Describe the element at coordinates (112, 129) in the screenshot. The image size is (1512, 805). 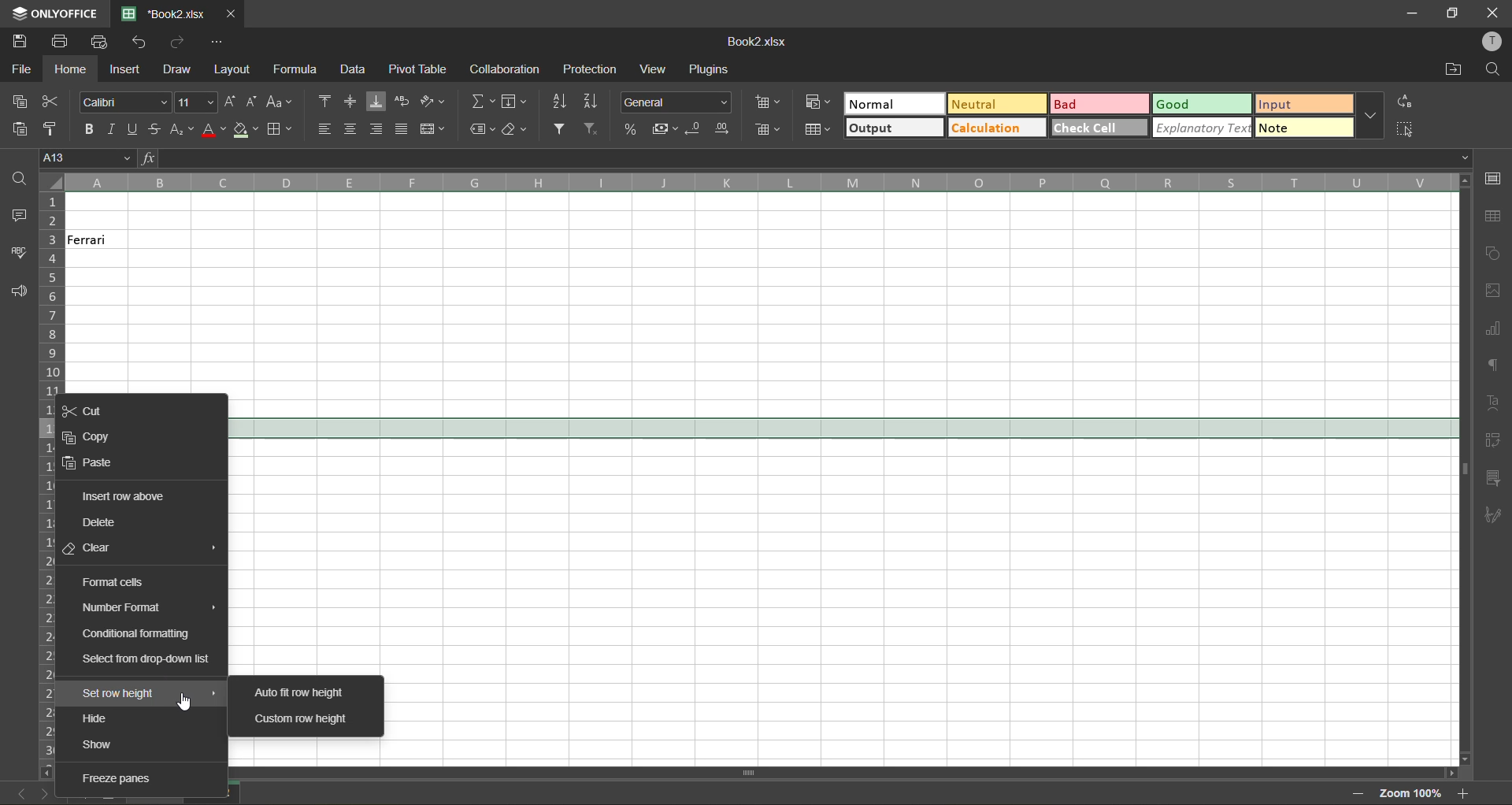
I see `italic` at that location.